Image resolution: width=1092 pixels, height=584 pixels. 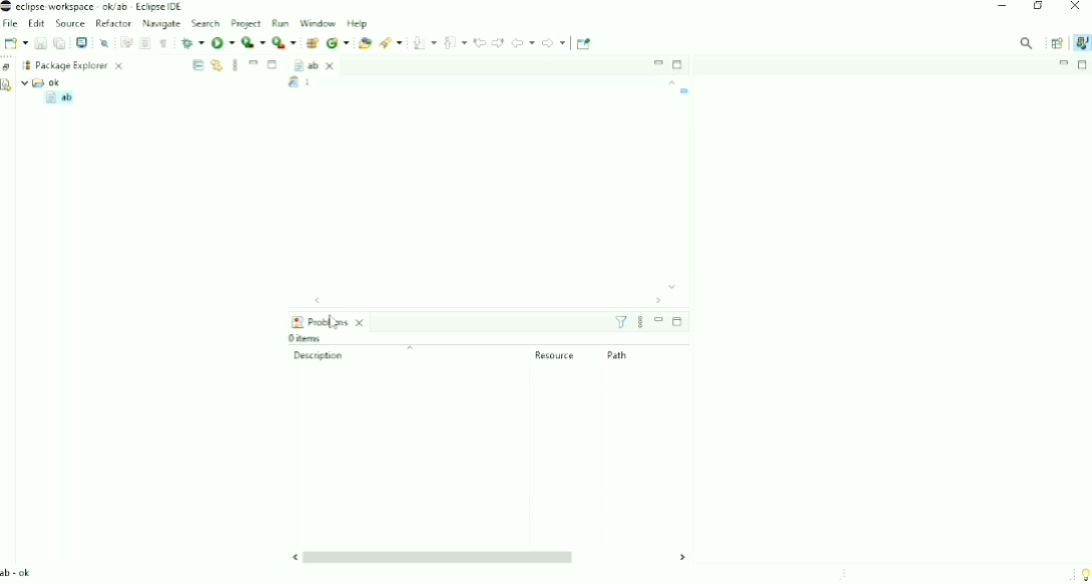 I want to click on Toggle Block Selection, so click(x=145, y=43).